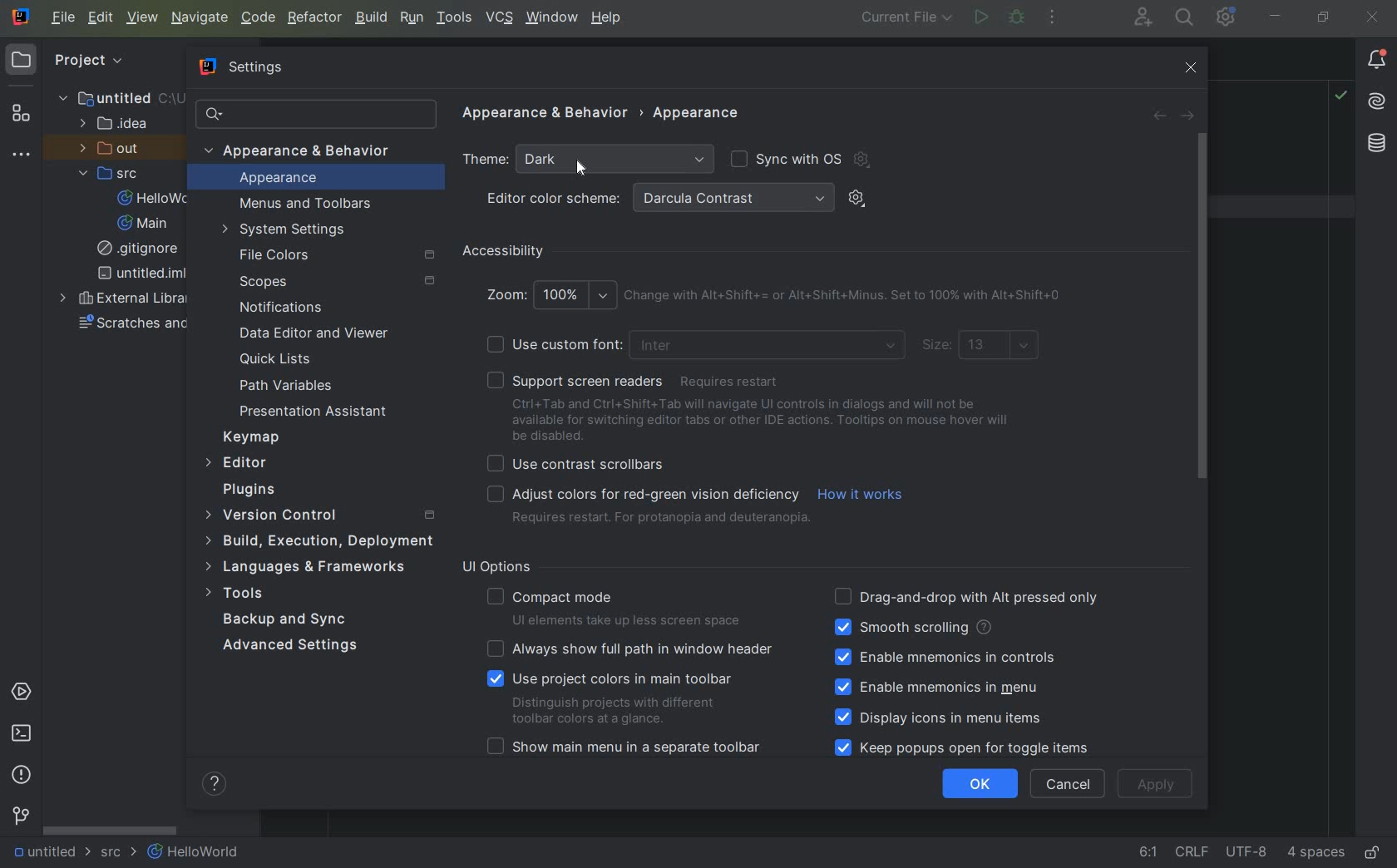 This screenshot has height=868, width=1397. What do you see at coordinates (550, 19) in the screenshot?
I see `WINDOW` at bounding box center [550, 19].